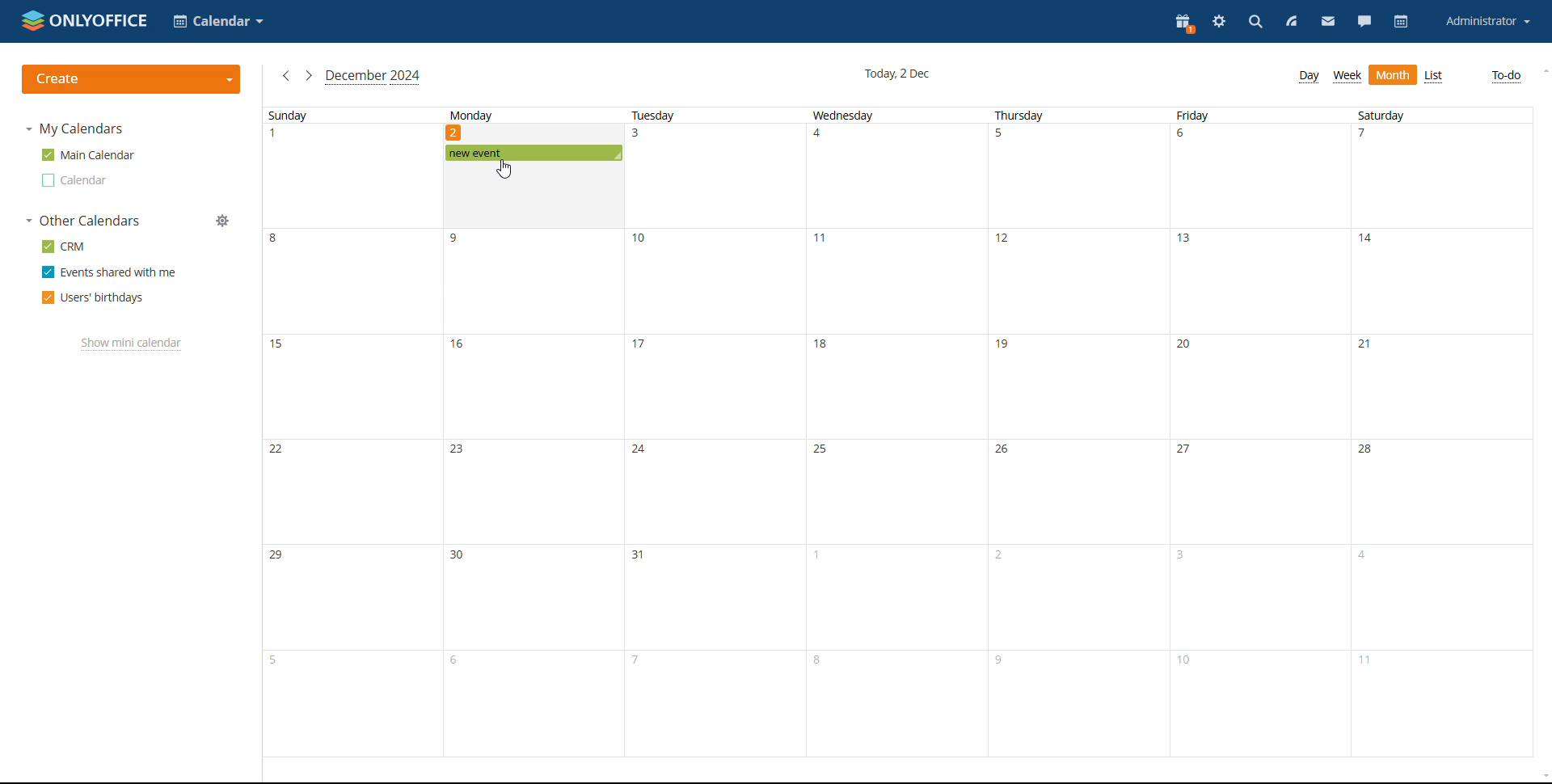 Image resolution: width=1552 pixels, height=784 pixels. I want to click on cursor, so click(505, 169).